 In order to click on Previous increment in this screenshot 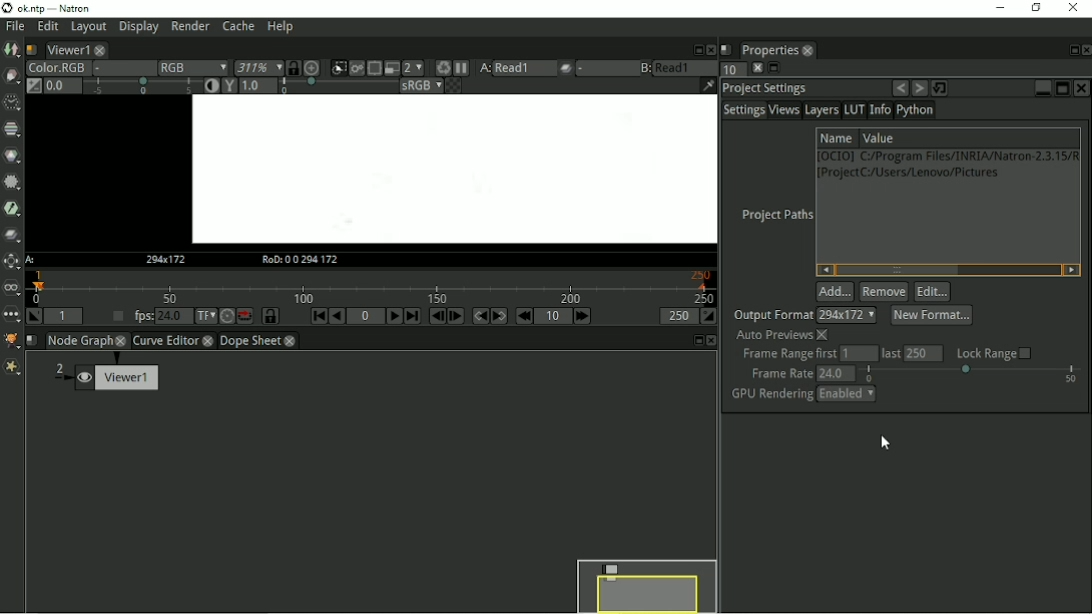, I will do `click(526, 316)`.